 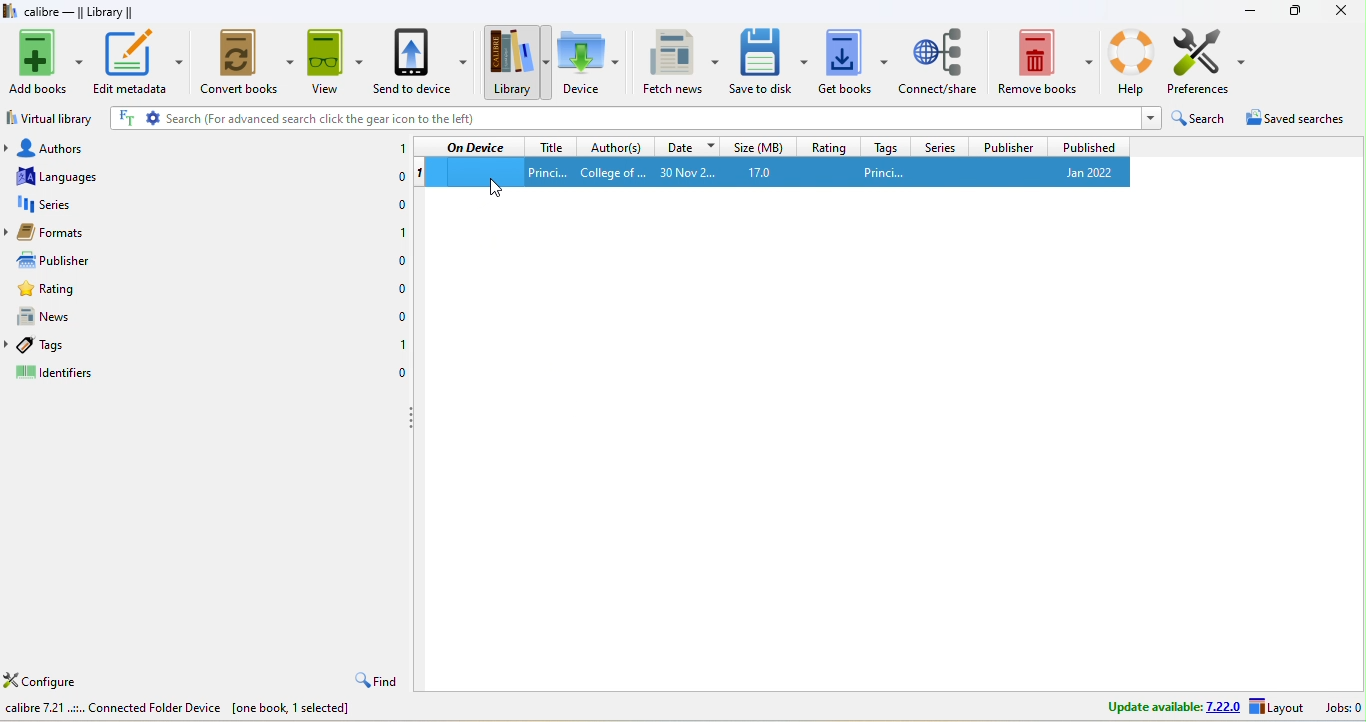 I want to click on edit metadata, so click(x=140, y=61).